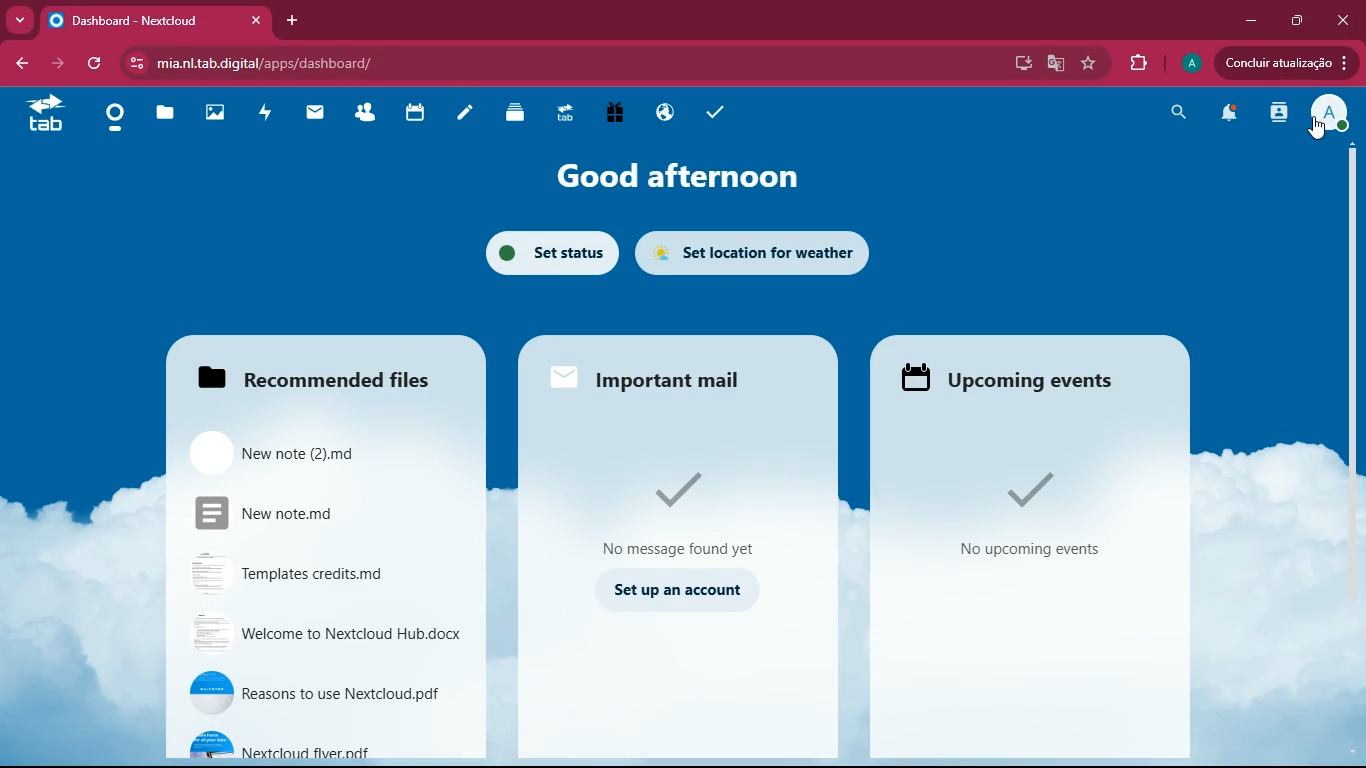 The image size is (1366, 768). What do you see at coordinates (1286, 62) in the screenshot?
I see `Concluir atualizacao` at bounding box center [1286, 62].